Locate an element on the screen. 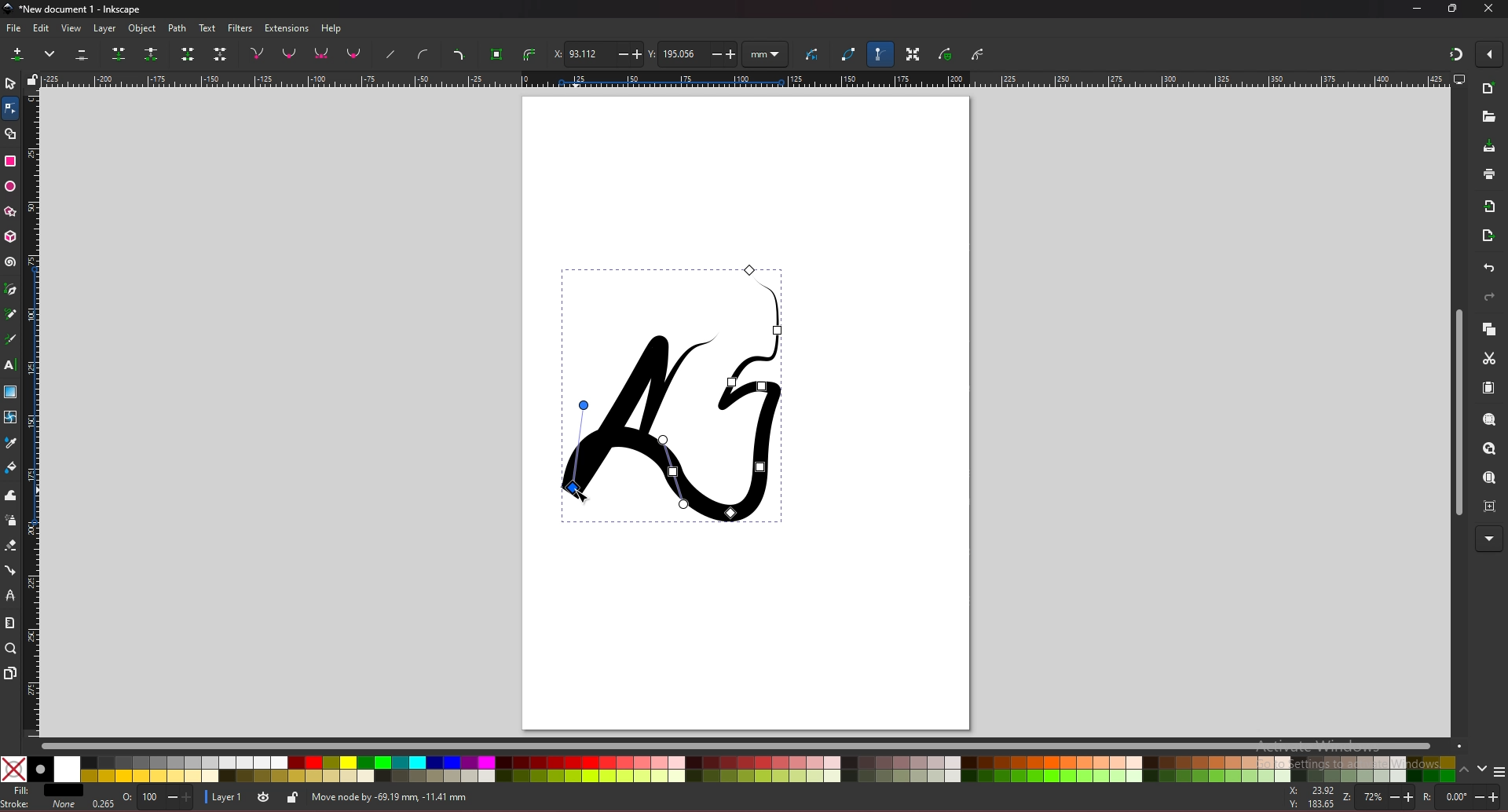 The width and height of the screenshot is (1508, 812). zoom drawing is located at coordinates (1489, 450).